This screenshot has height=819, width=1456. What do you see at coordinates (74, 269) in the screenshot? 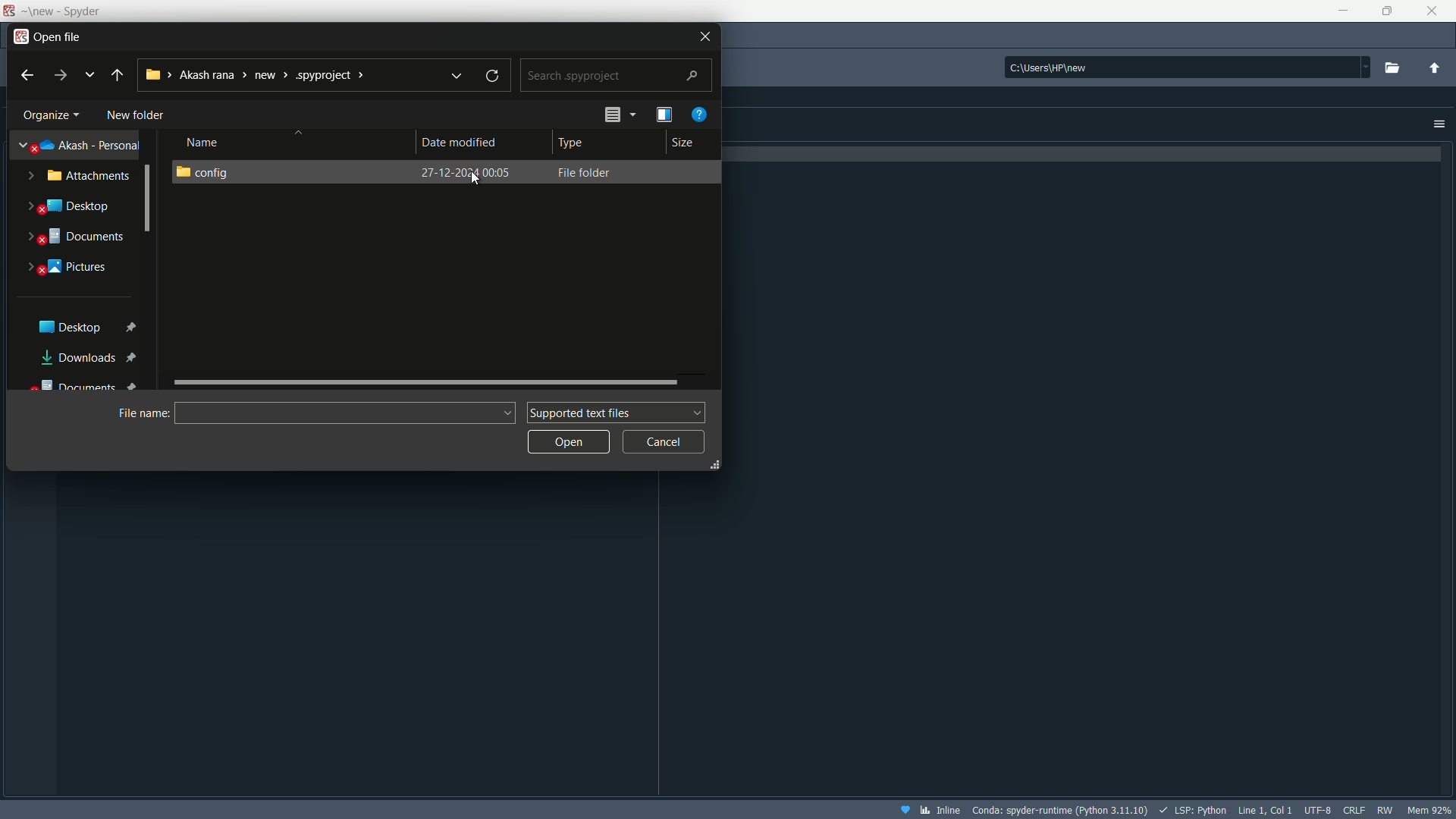
I see `Pictures` at bounding box center [74, 269].